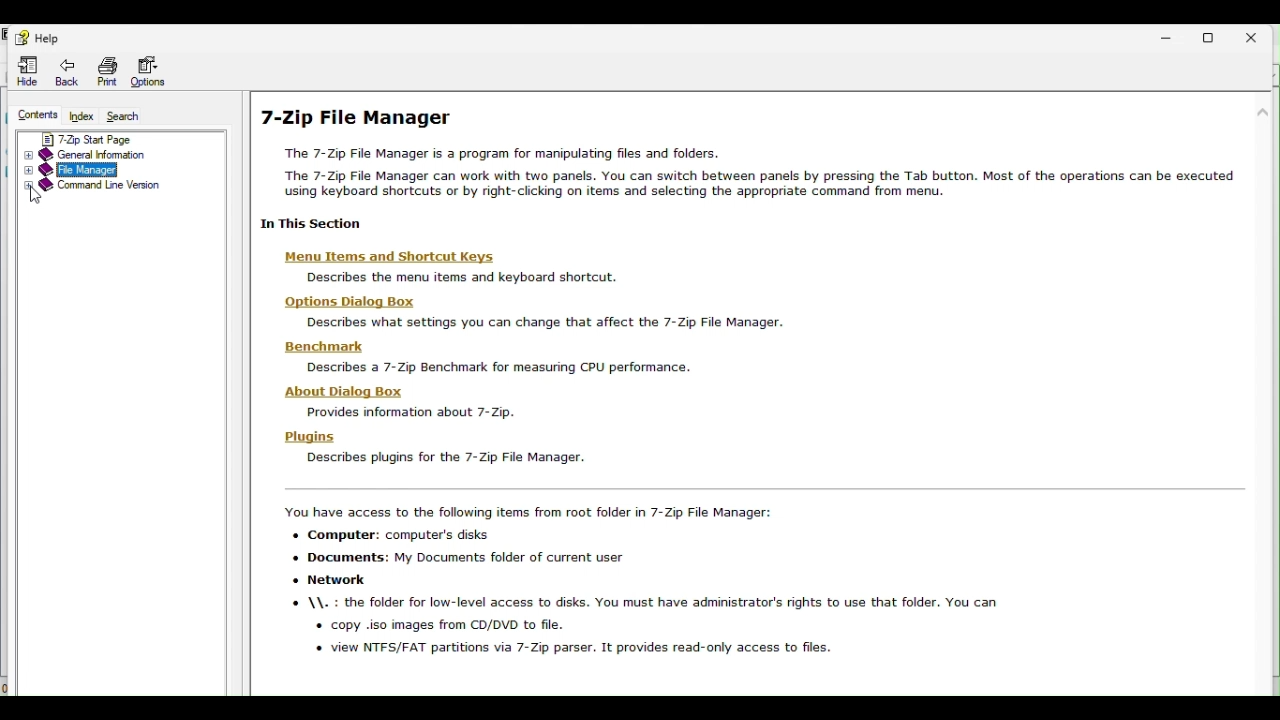 The width and height of the screenshot is (1280, 720). Describe the element at coordinates (443, 459) in the screenshot. I see `Describes plugins for the 7-Zip File Manager.` at that location.